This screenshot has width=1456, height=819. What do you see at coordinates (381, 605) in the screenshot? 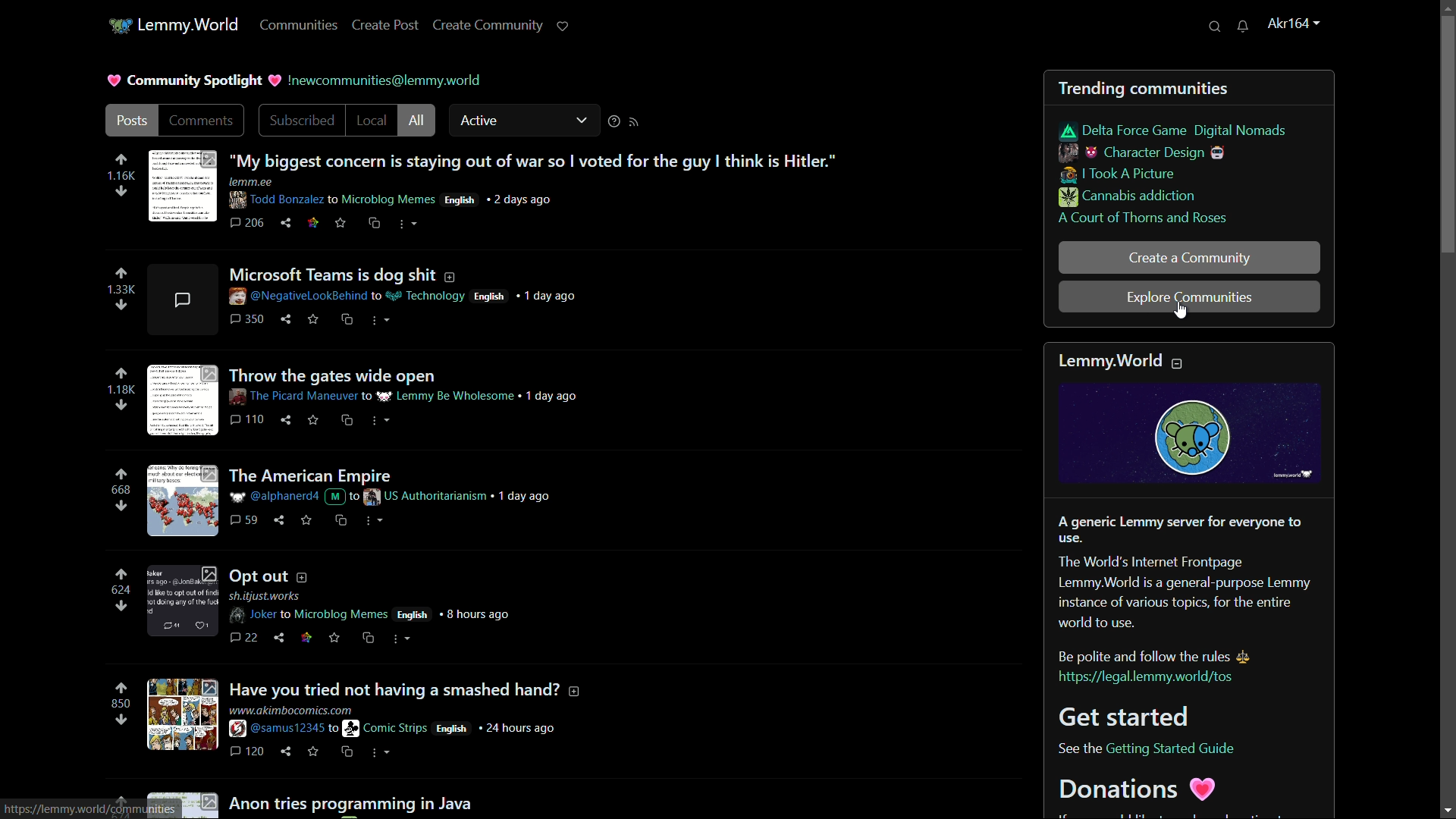
I see `posts details` at bounding box center [381, 605].